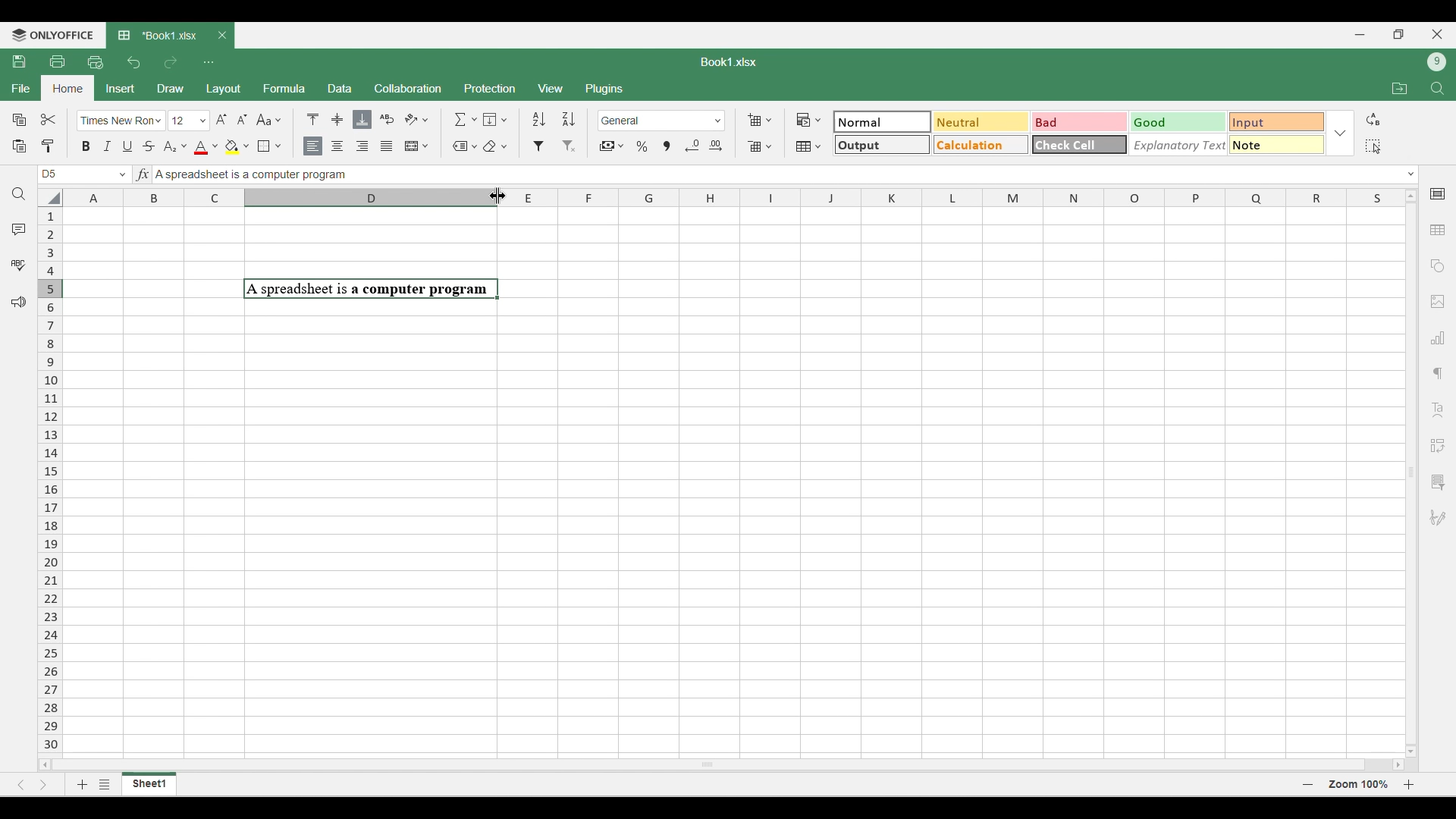 The height and width of the screenshot is (819, 1456). What do you see at coordinates (20, 119) in the screenshot?
I see `Copy` at bounding box center [20, 119].